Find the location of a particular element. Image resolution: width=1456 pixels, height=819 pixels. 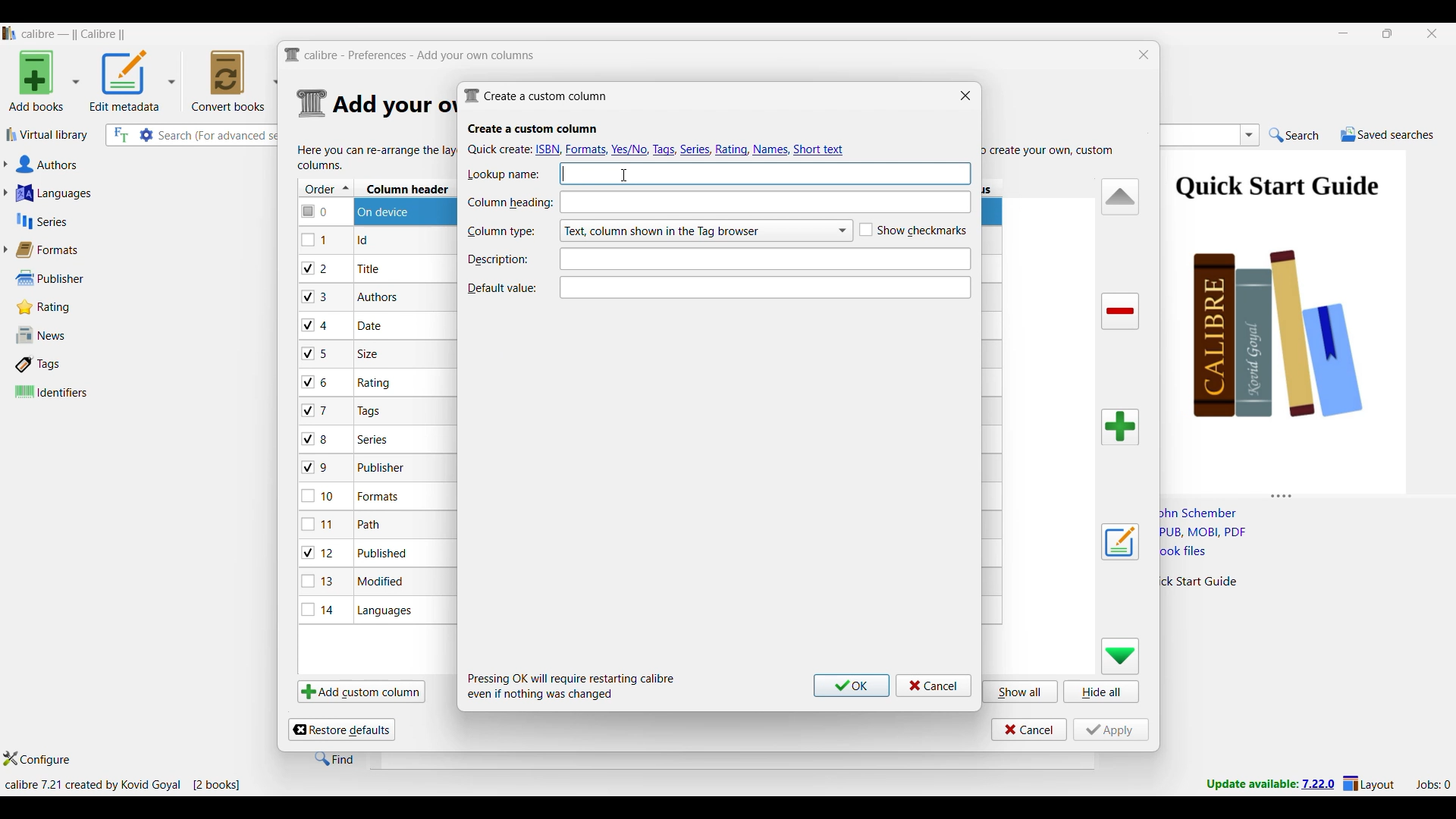

Close window is located at coordinates (965, 95).